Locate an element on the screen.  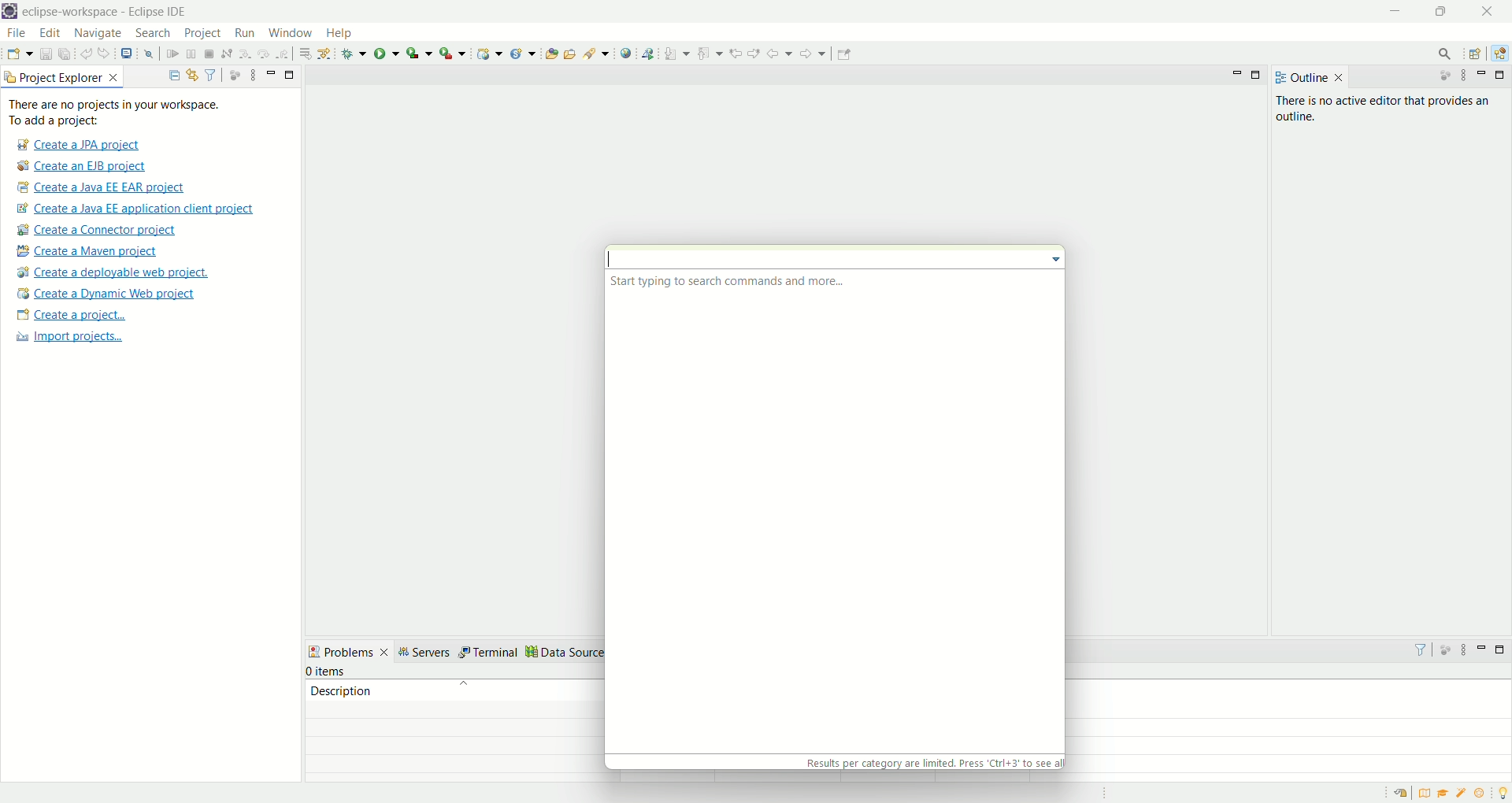
search is located at coordinates (596, 55).